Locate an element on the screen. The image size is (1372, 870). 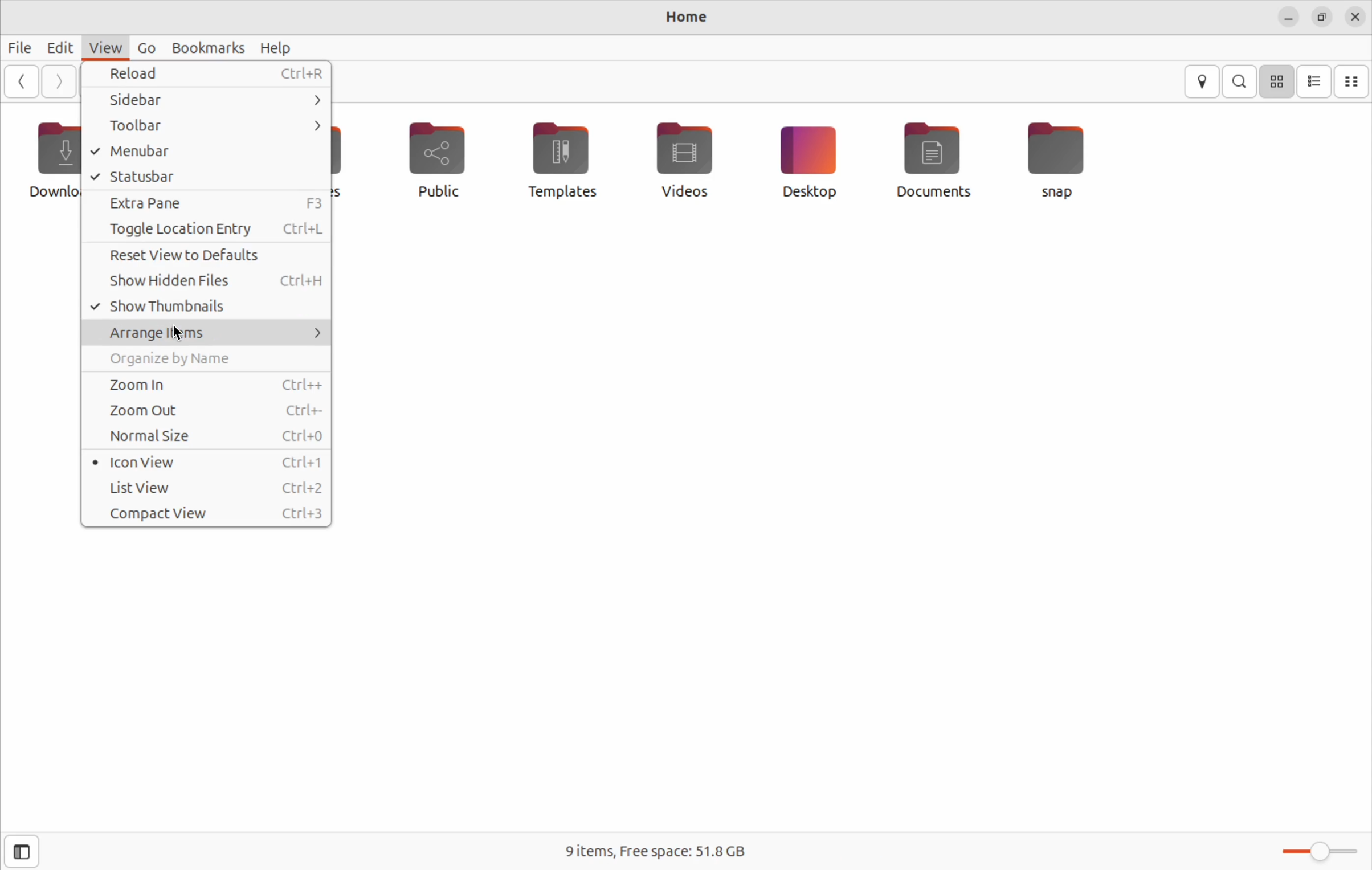
list view is located at coordinates (210, 488).